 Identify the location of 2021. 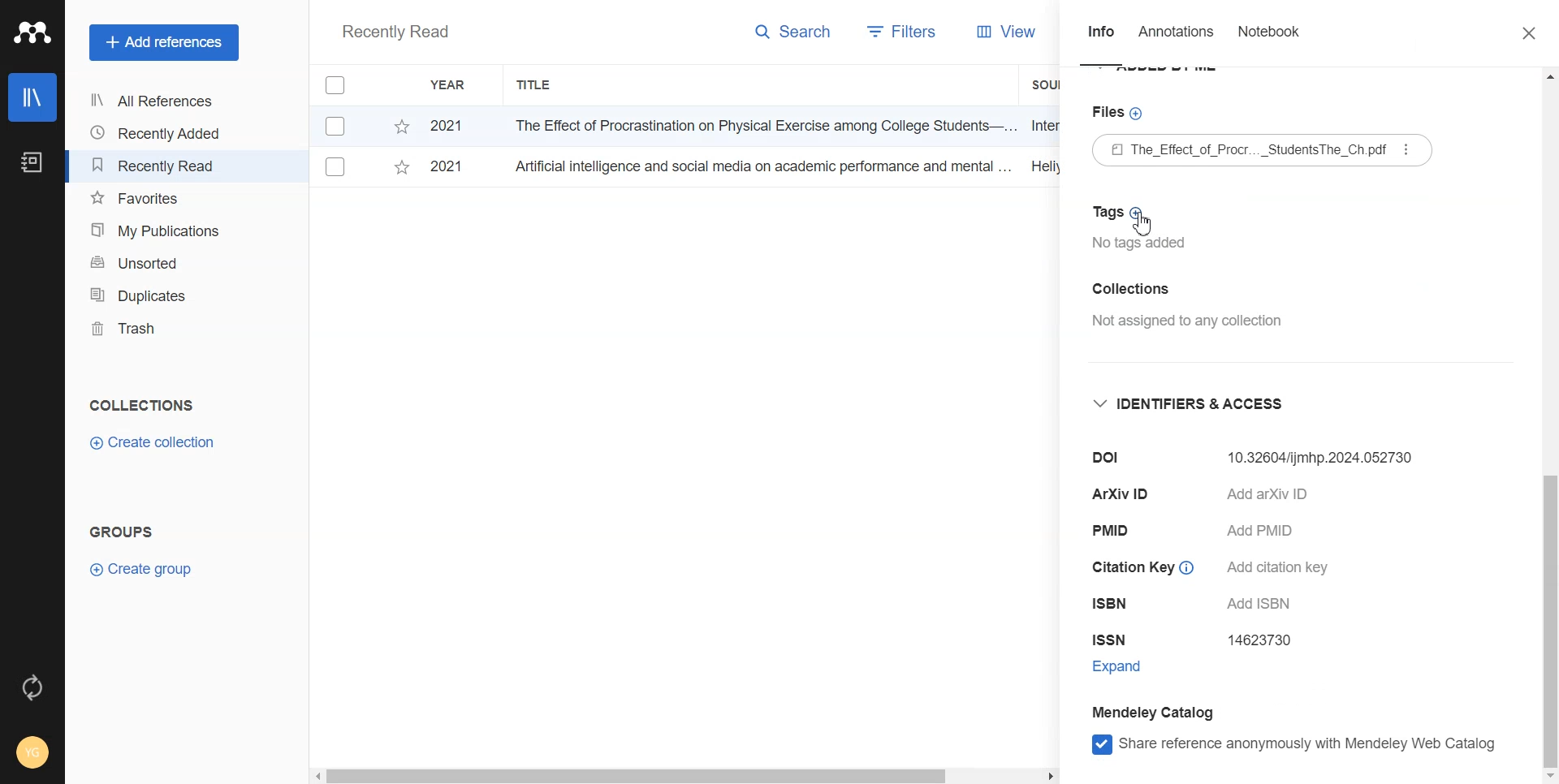
(446, 165).